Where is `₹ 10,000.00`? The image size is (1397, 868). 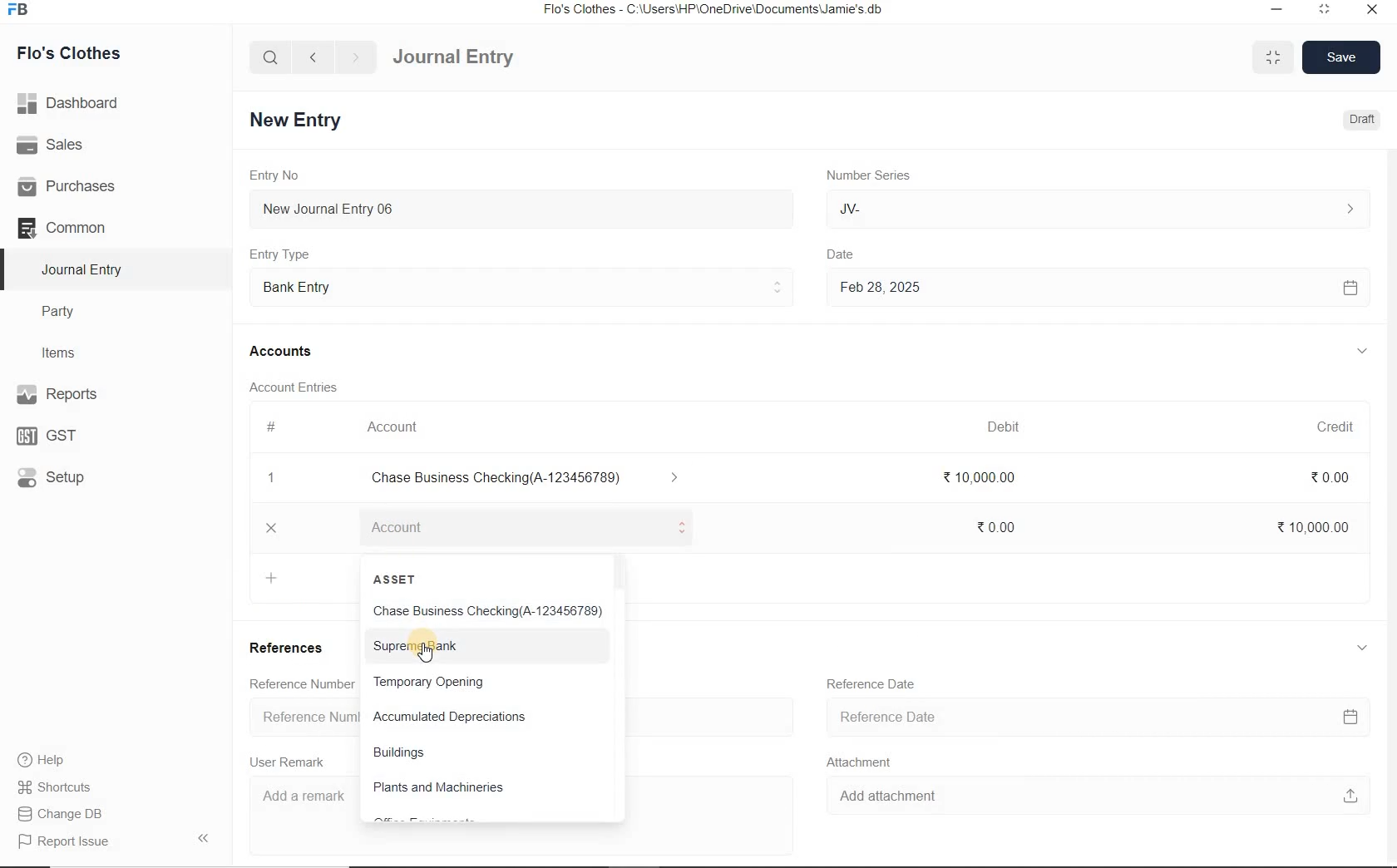
₹ 10,000.00 is located at coordinates (980, 481).